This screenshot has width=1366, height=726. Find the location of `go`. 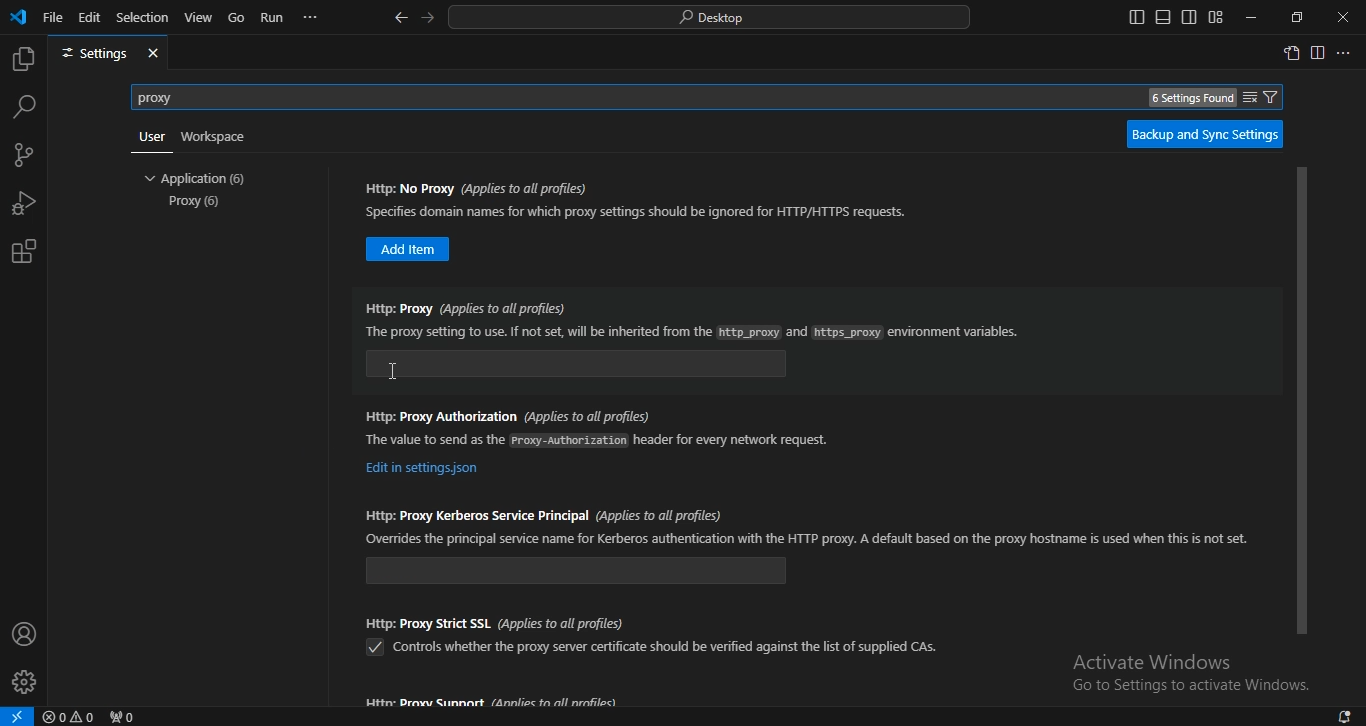

go is located at coordinates (237, 17).